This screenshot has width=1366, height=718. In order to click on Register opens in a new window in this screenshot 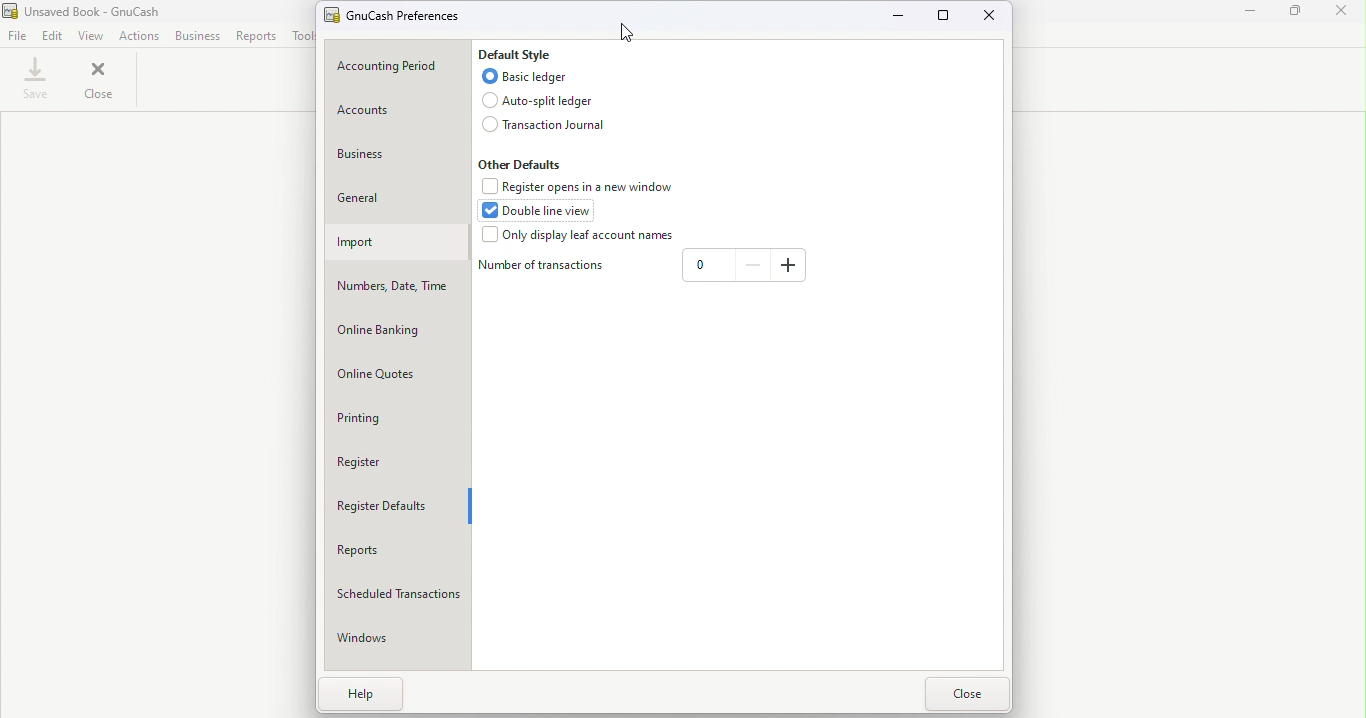, I will do `click(583, 186)`.